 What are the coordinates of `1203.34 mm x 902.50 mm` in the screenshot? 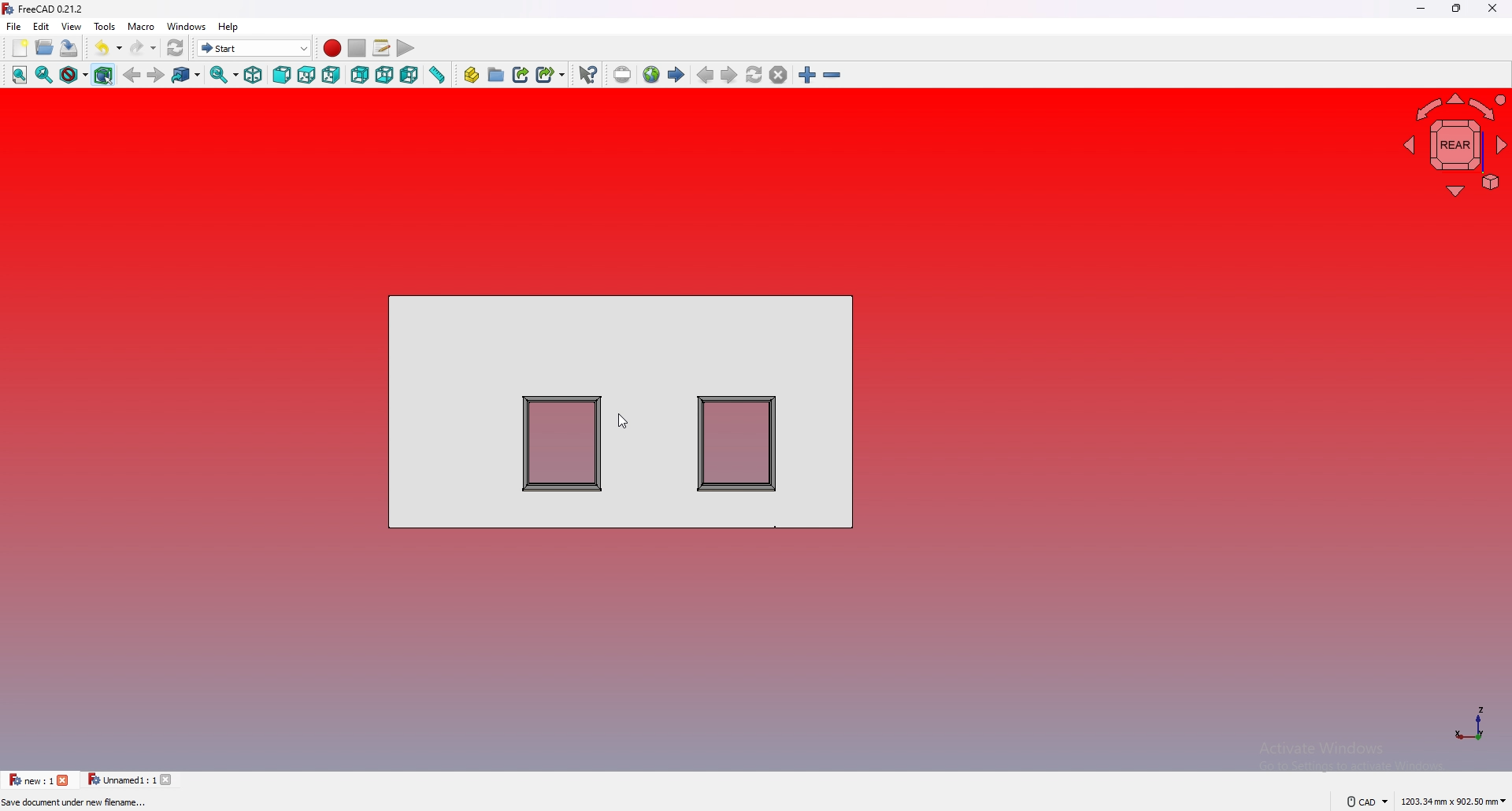 It's located at (1452, 799).